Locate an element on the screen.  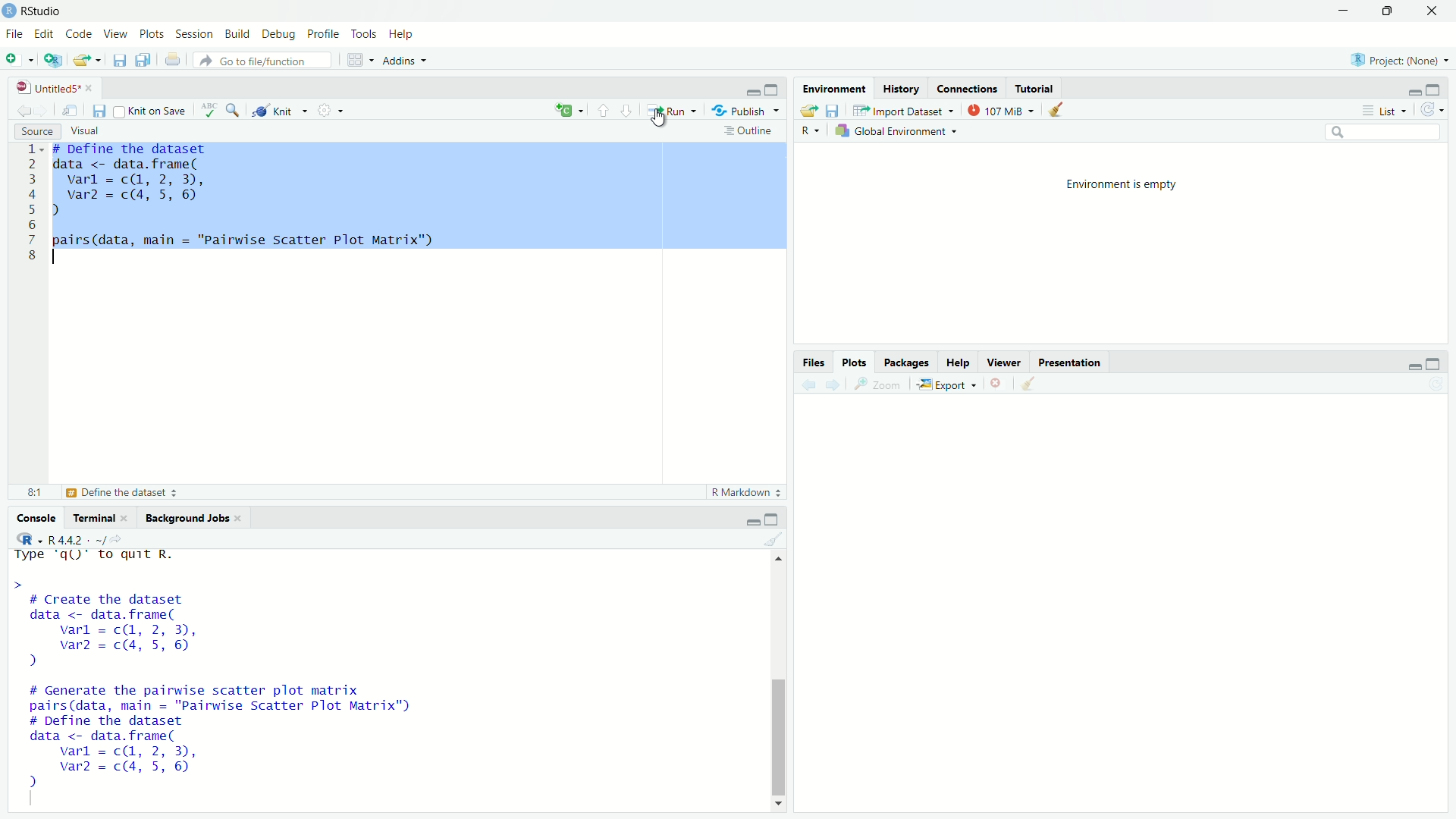
Save all open documents (Ctrl + Alt + S) is located at coordinates (143, 58).